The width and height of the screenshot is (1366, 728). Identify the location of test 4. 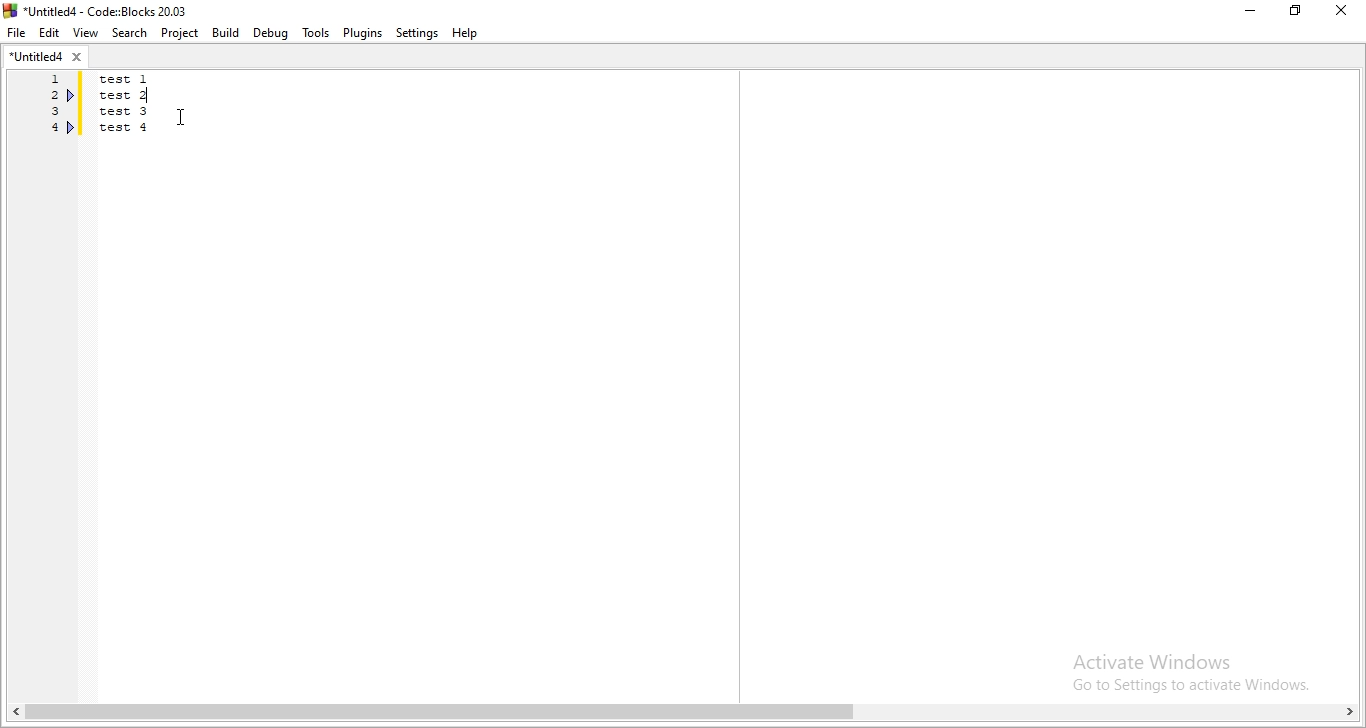
(126, 127).